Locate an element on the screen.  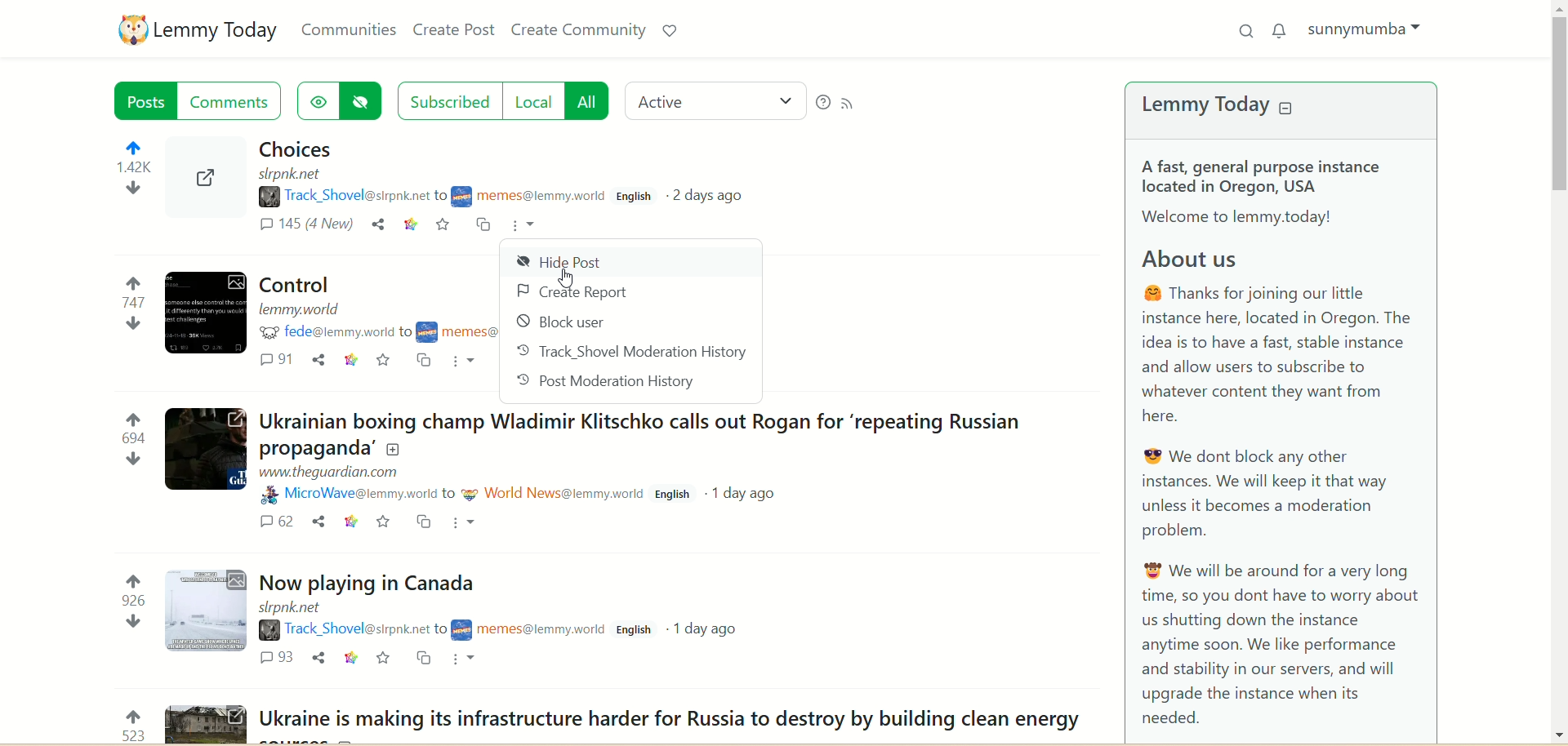
create post is located at coordinates (457, 32).